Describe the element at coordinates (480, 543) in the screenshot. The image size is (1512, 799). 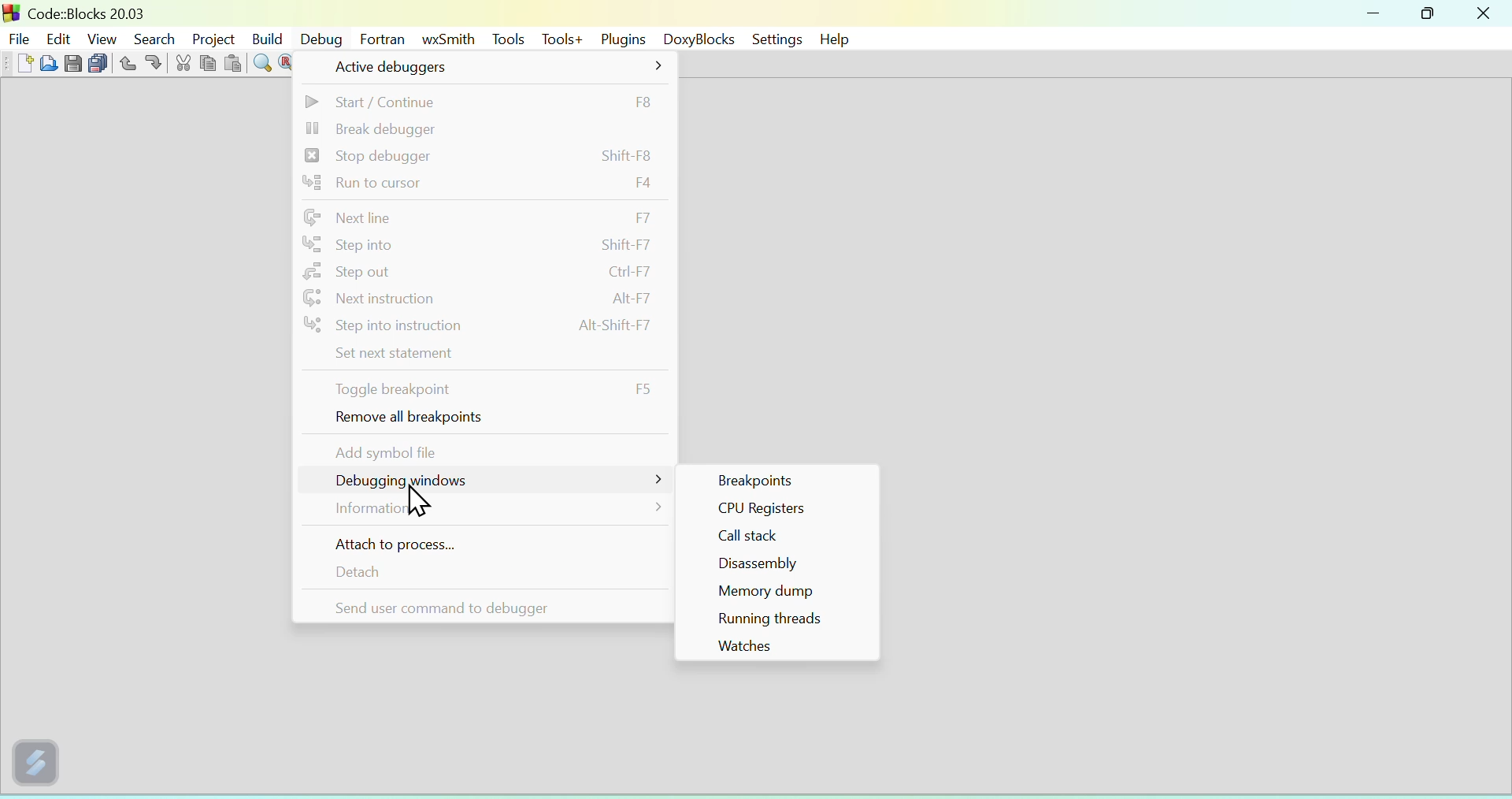
I see `attach to process...` at that location.